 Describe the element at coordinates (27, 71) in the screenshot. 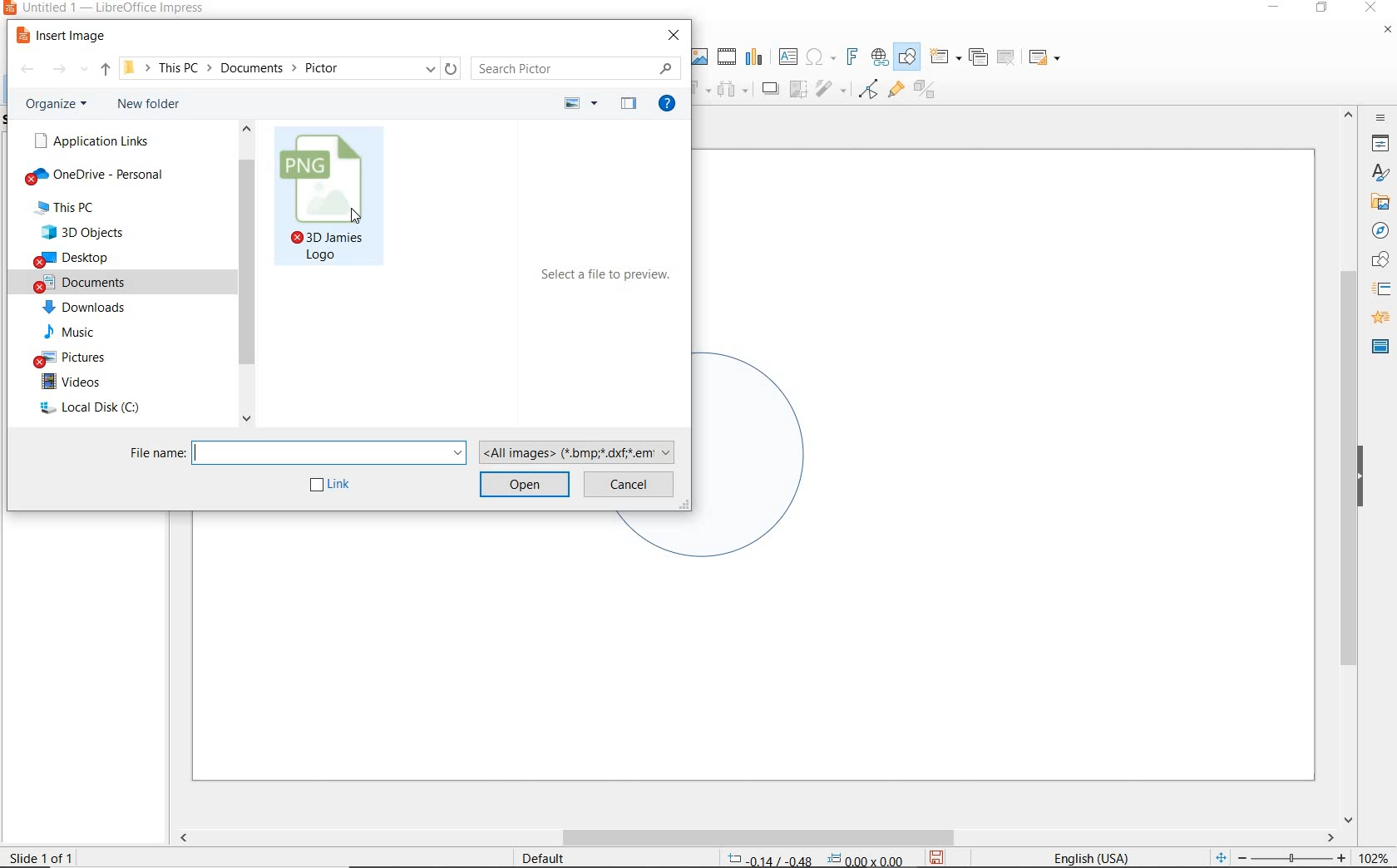

I see `back` at that location.